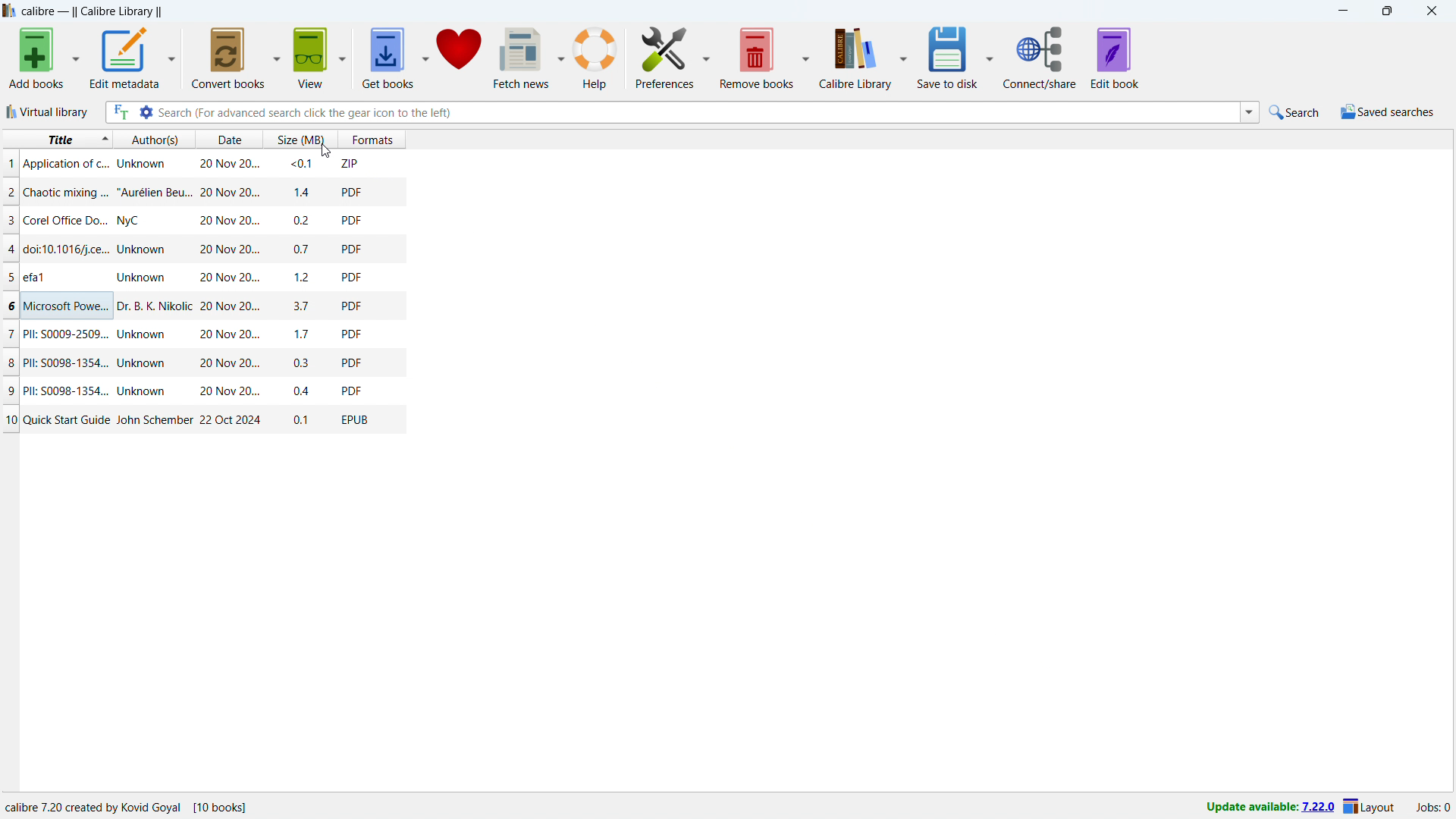 The height and width of the screenshot is (819, 1456). What do you see at coordinates (855, 58) in the screenshot?
I see `calibre library` at bounding box center [855, 58].